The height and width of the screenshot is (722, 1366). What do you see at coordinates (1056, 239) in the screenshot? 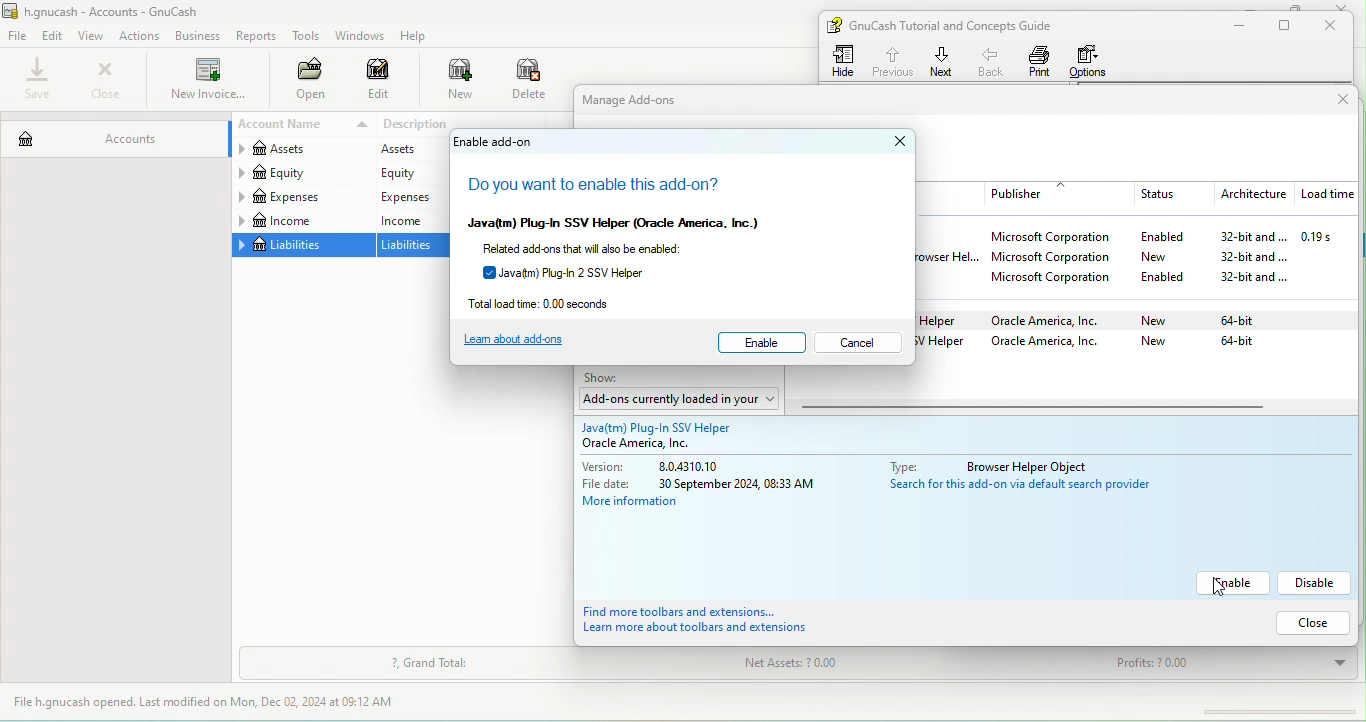
I see `microsoft corporation` at bounding box center [1056, 239].